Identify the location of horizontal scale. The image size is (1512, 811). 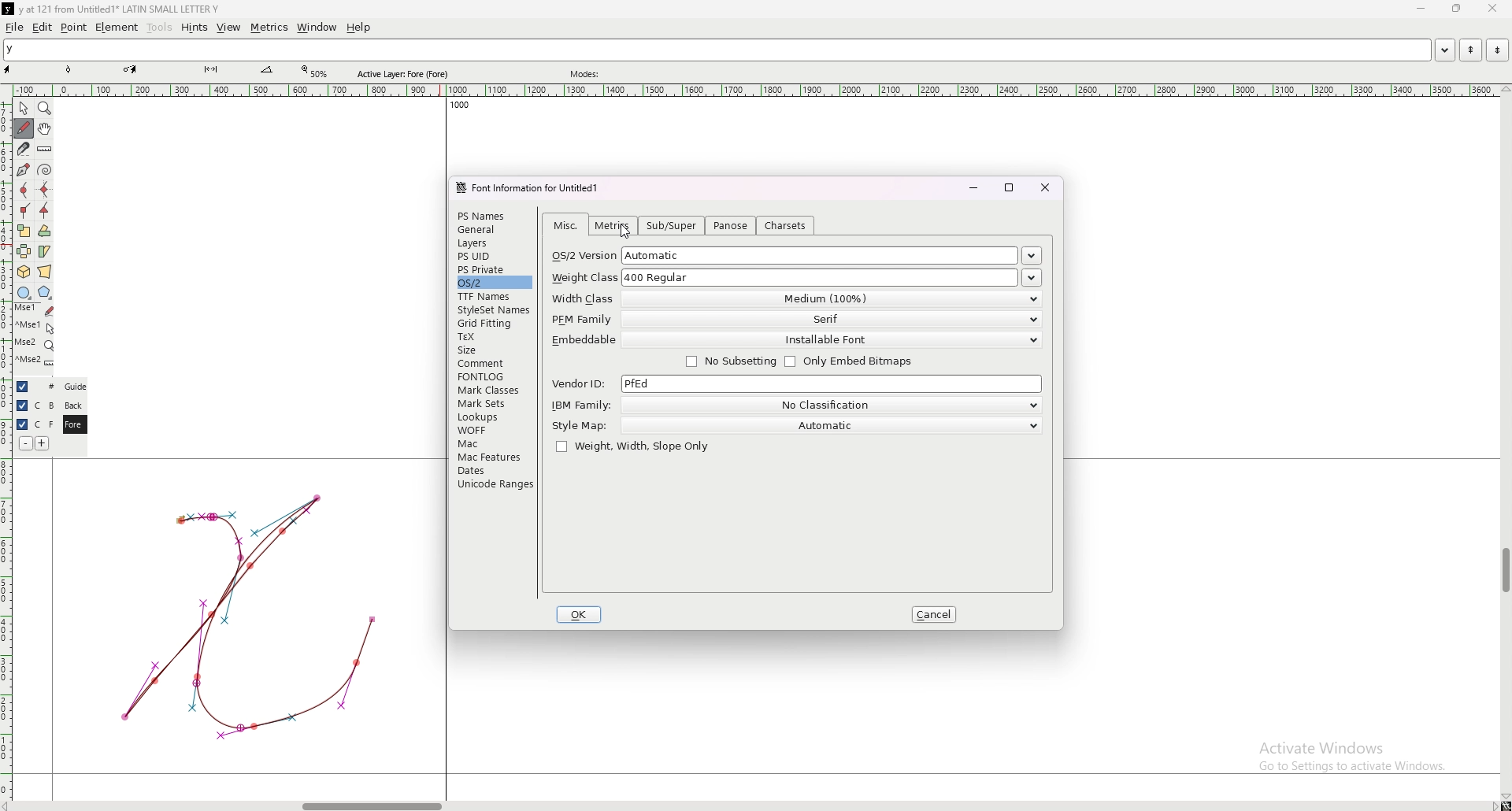
(756, 91).